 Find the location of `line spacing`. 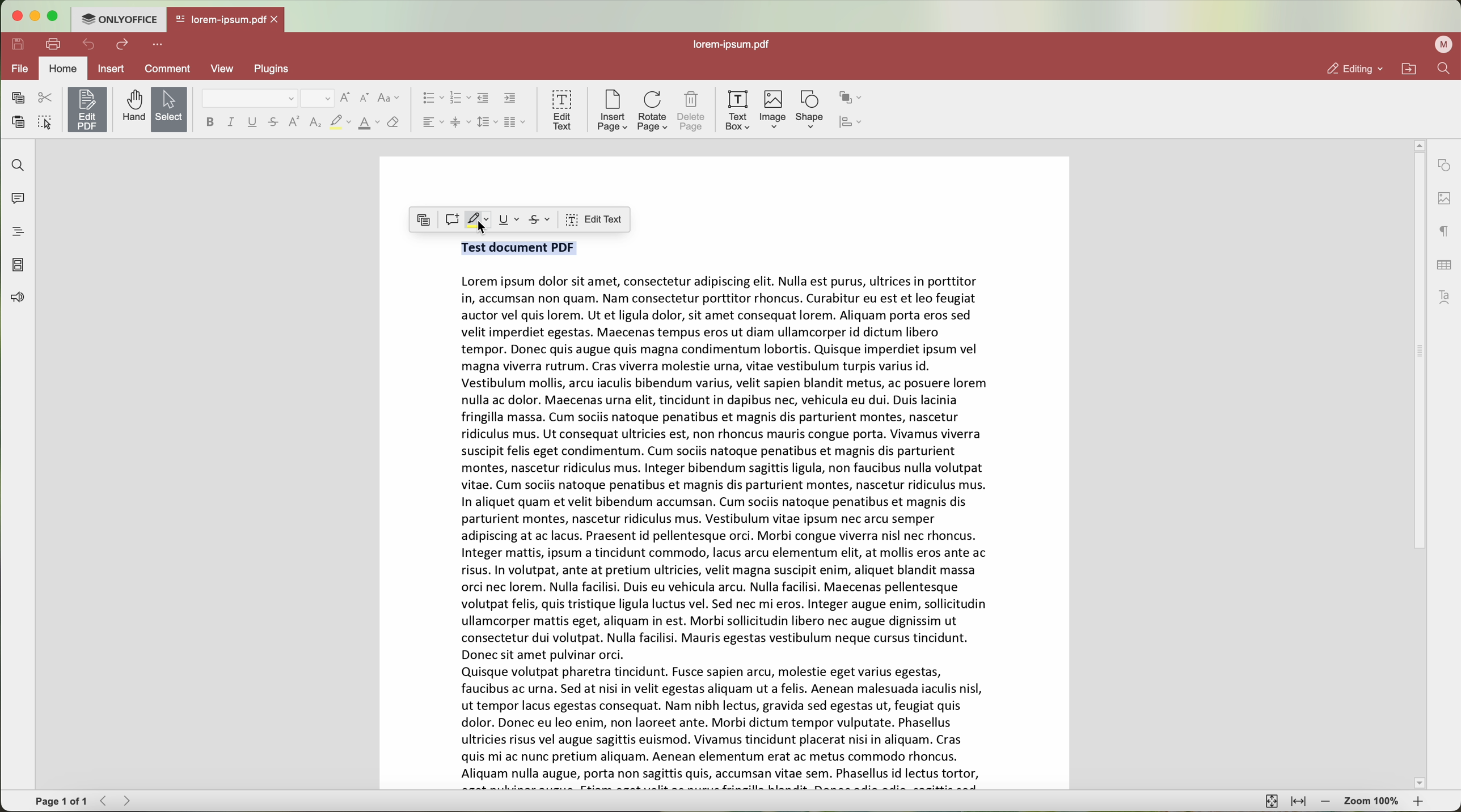

line spacing is located at coordinates (487, 122).